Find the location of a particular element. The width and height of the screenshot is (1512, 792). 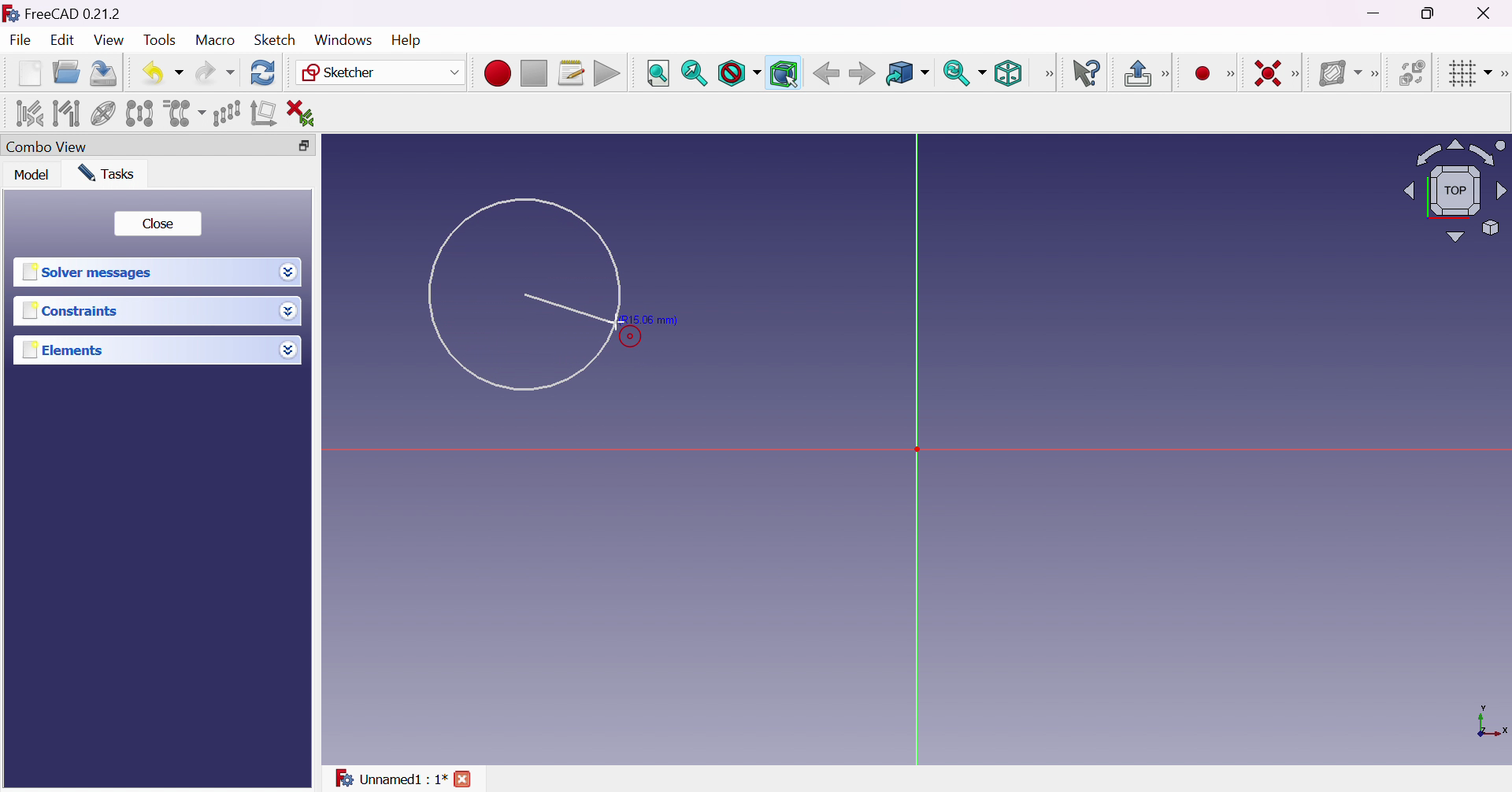

Draw style is located at coordinates (739, 74).